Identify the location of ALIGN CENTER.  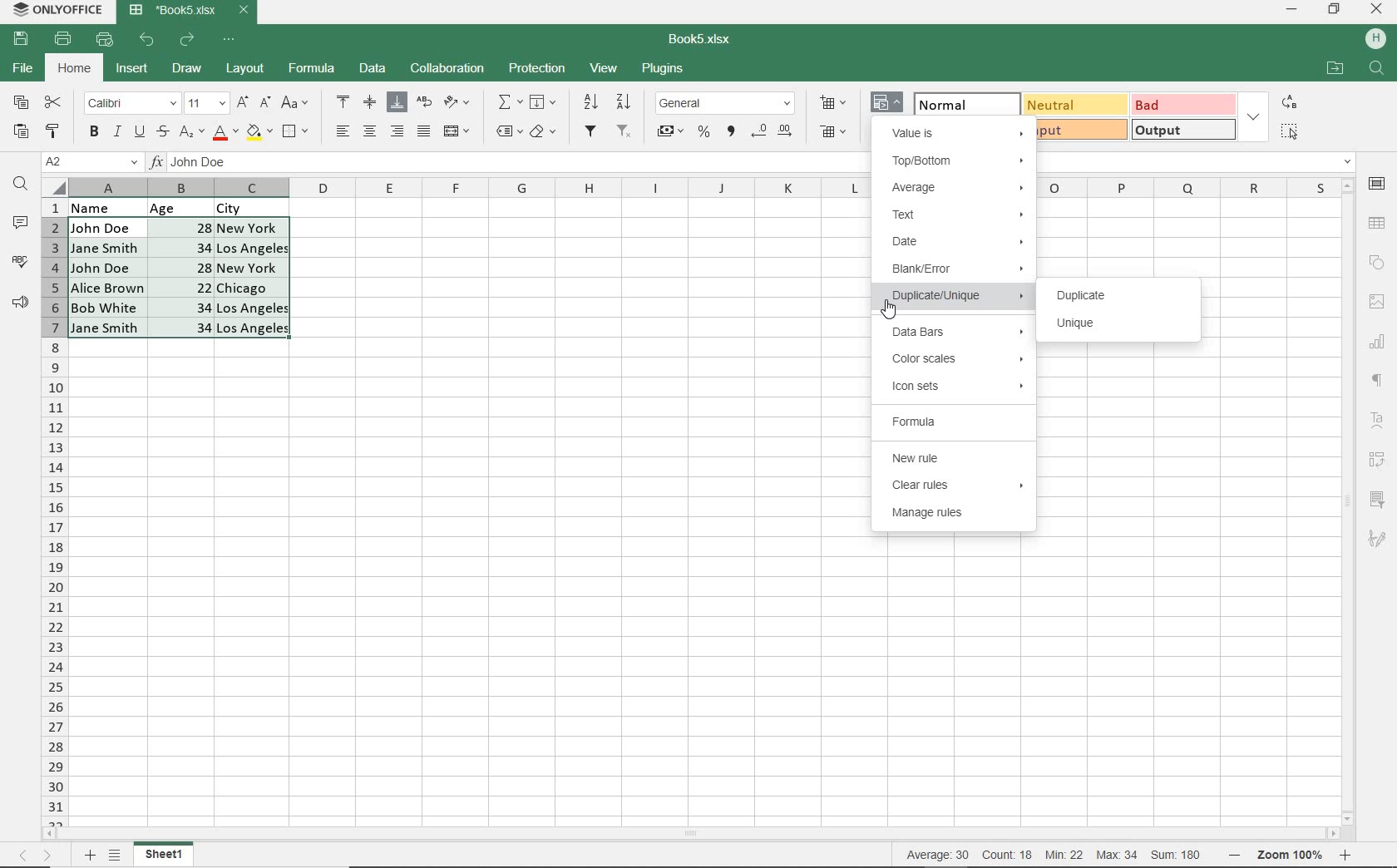
(368, 132).